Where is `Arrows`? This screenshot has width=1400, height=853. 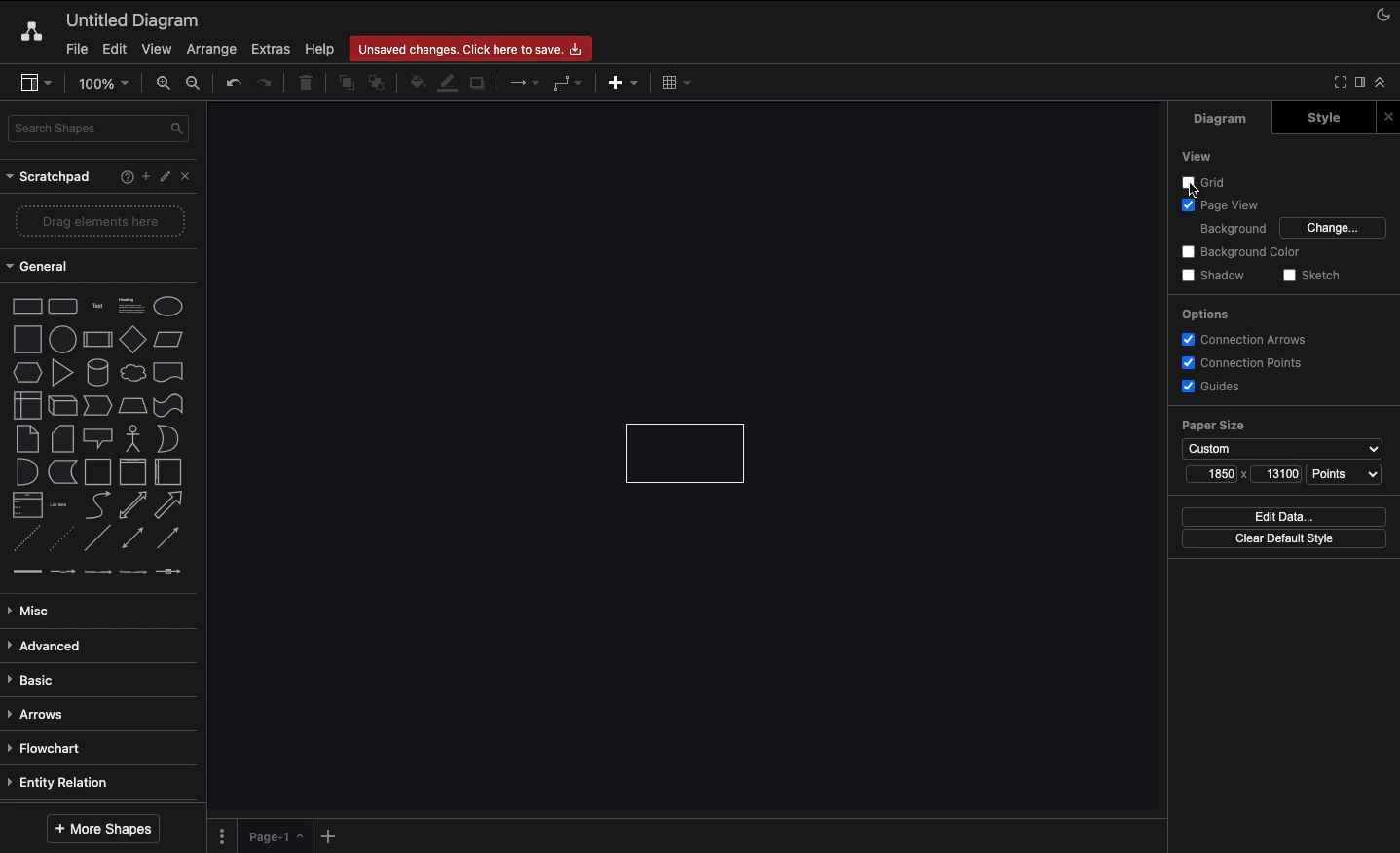 Arrows is located at coordinates (48, 716).